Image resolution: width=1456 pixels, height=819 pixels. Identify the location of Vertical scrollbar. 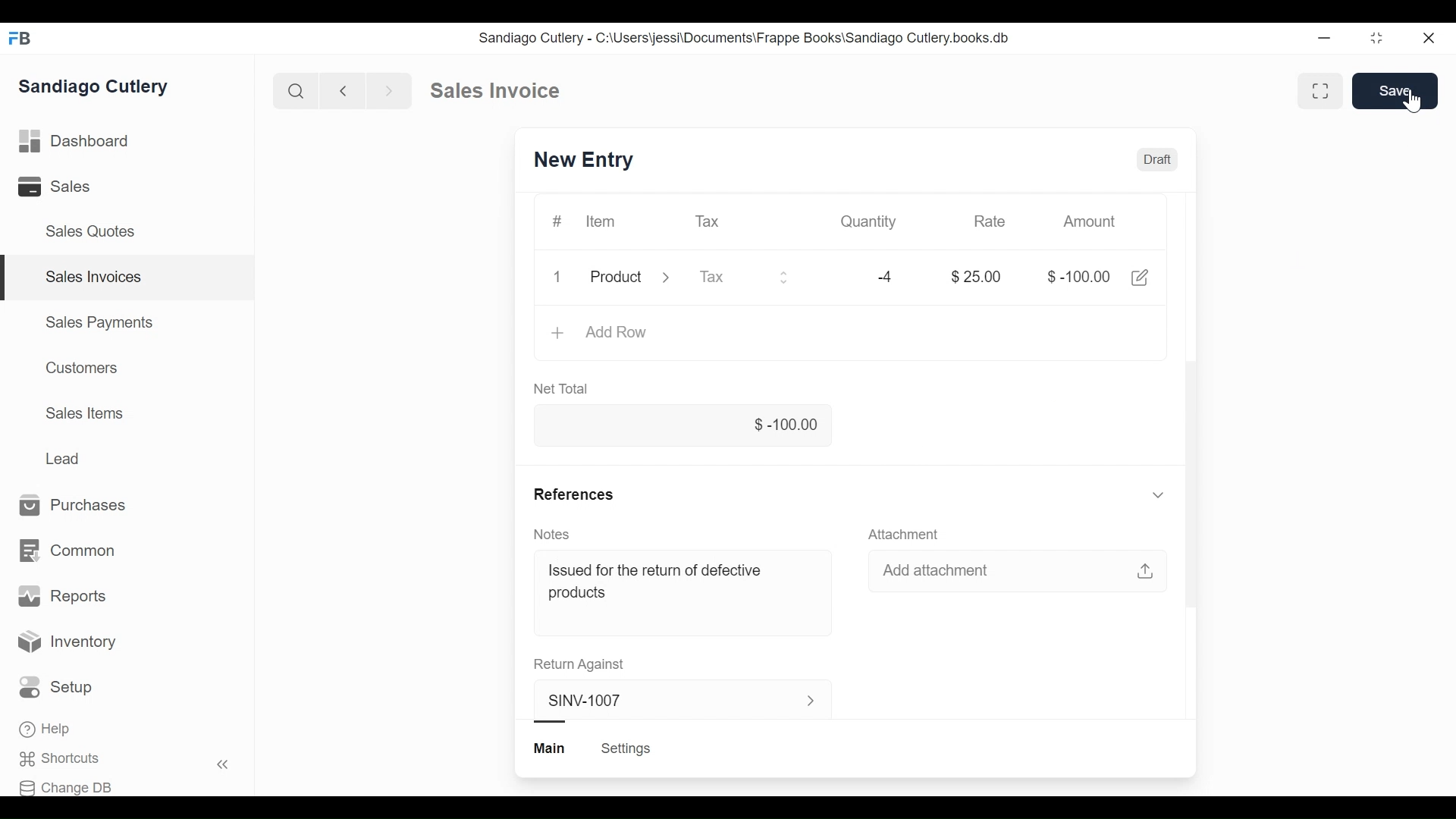
(1194, 482).